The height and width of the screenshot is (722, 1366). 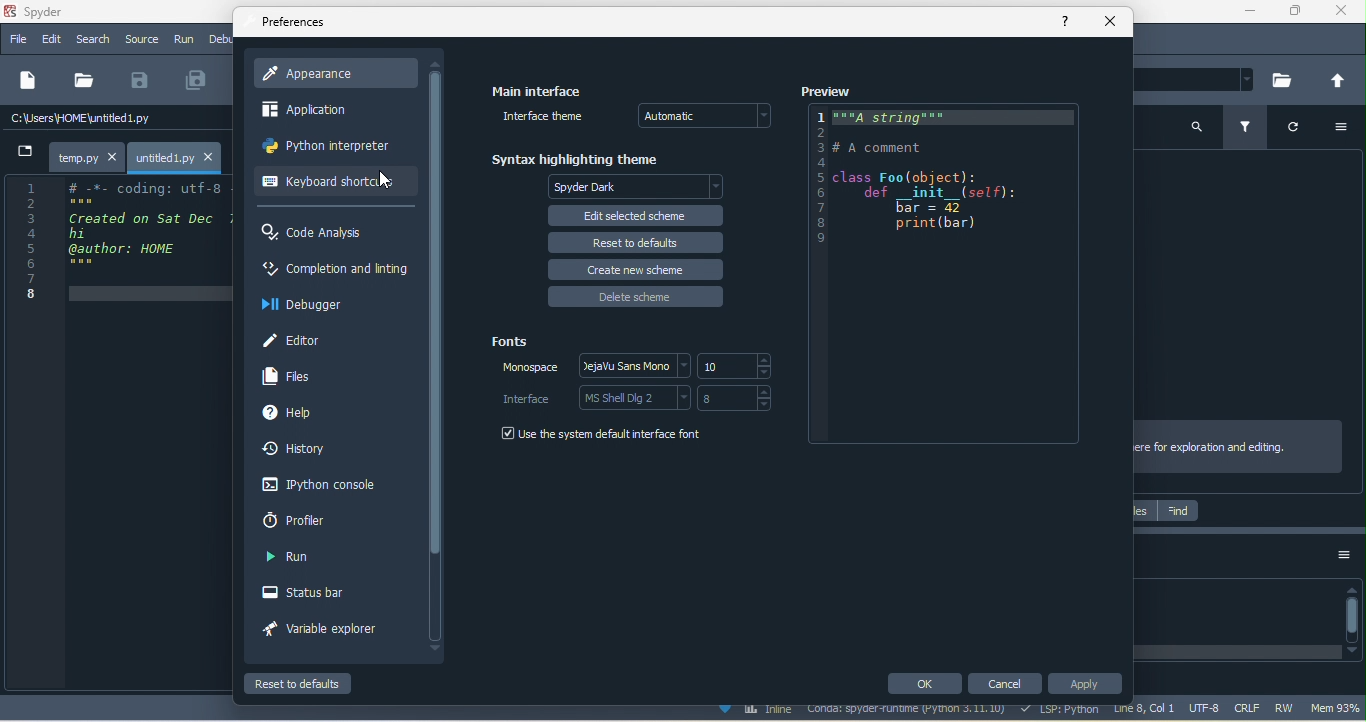 What do you see at coordinates (23, 151) in the screenshot?
I see `browse tabs` at bounding box center [23, 151].